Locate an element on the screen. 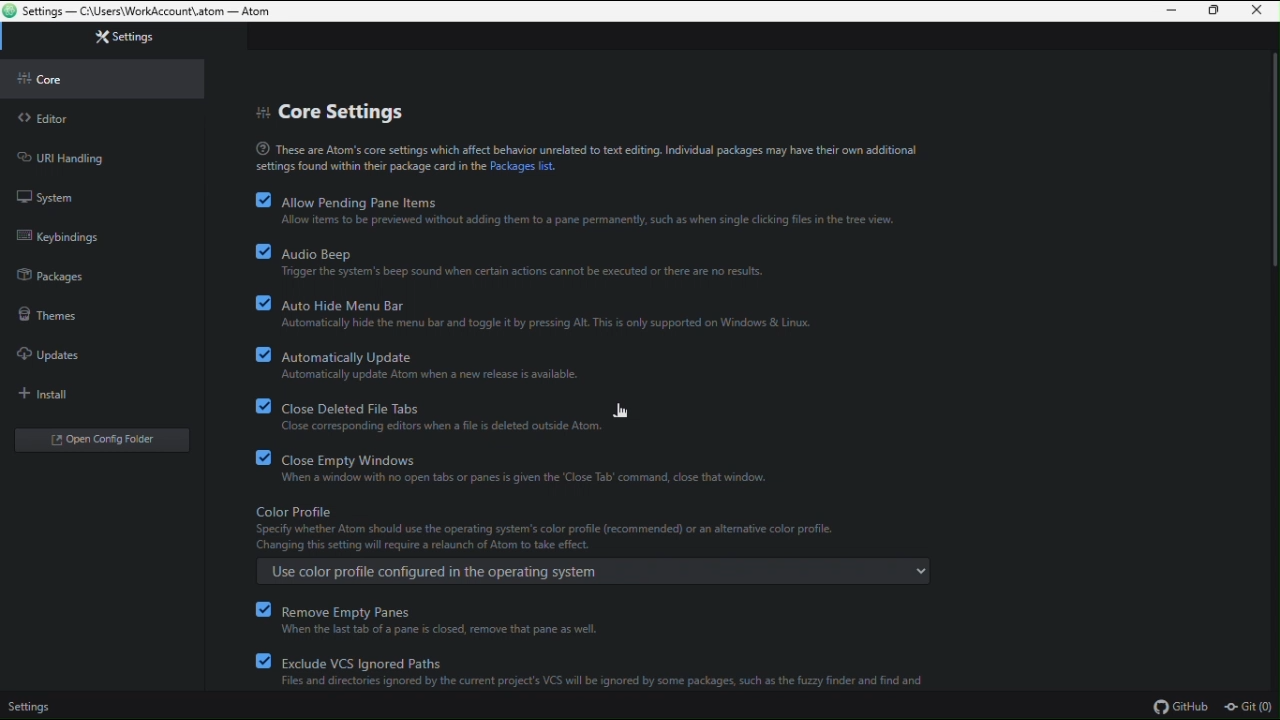 The width and height of the screenshot is (1280, 720). checkbox is located at coordinates (261, 200).